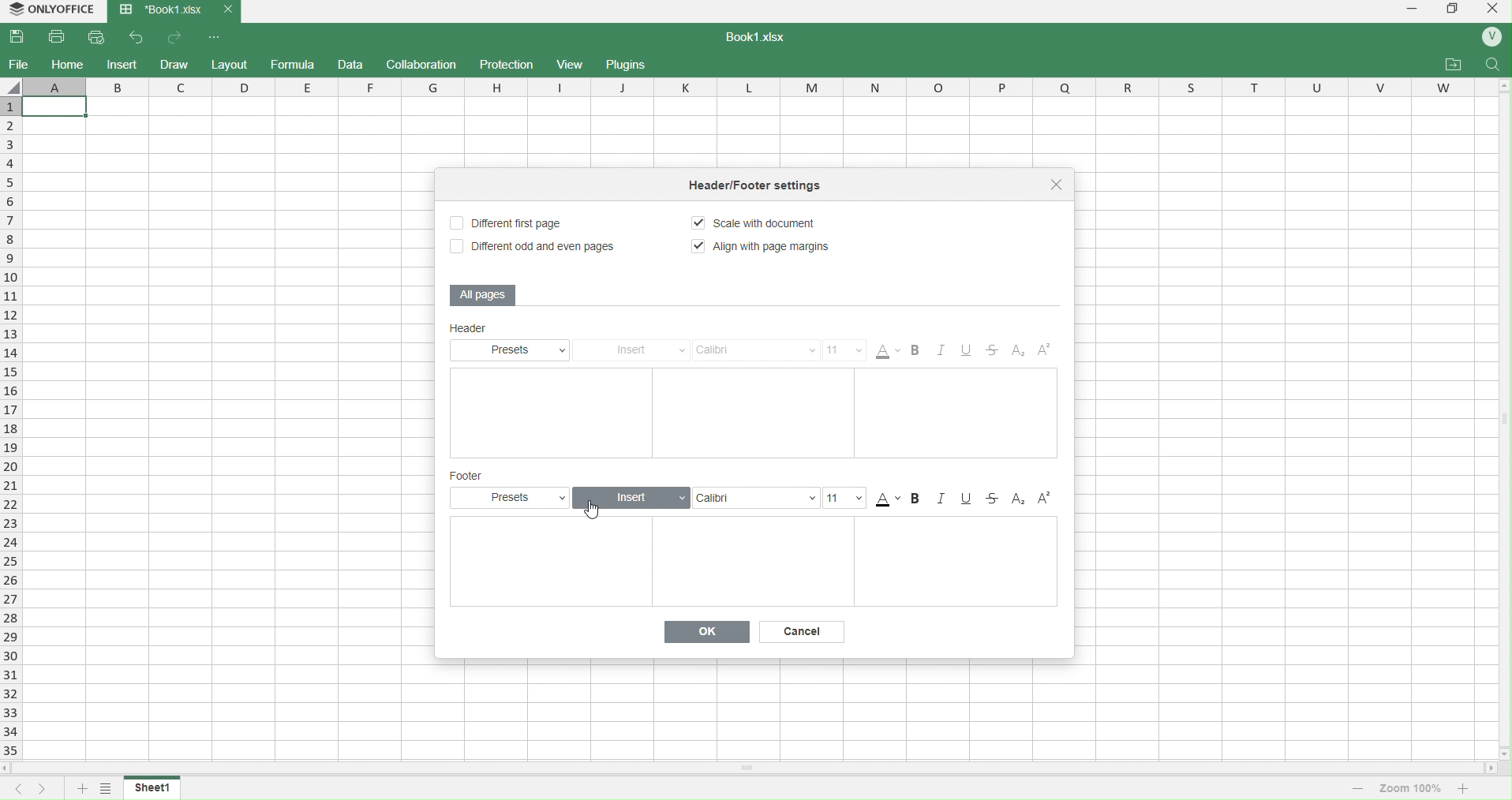  Describe the element at coordinates (1491, 38) in the screenshot. I see `profile` at that location.